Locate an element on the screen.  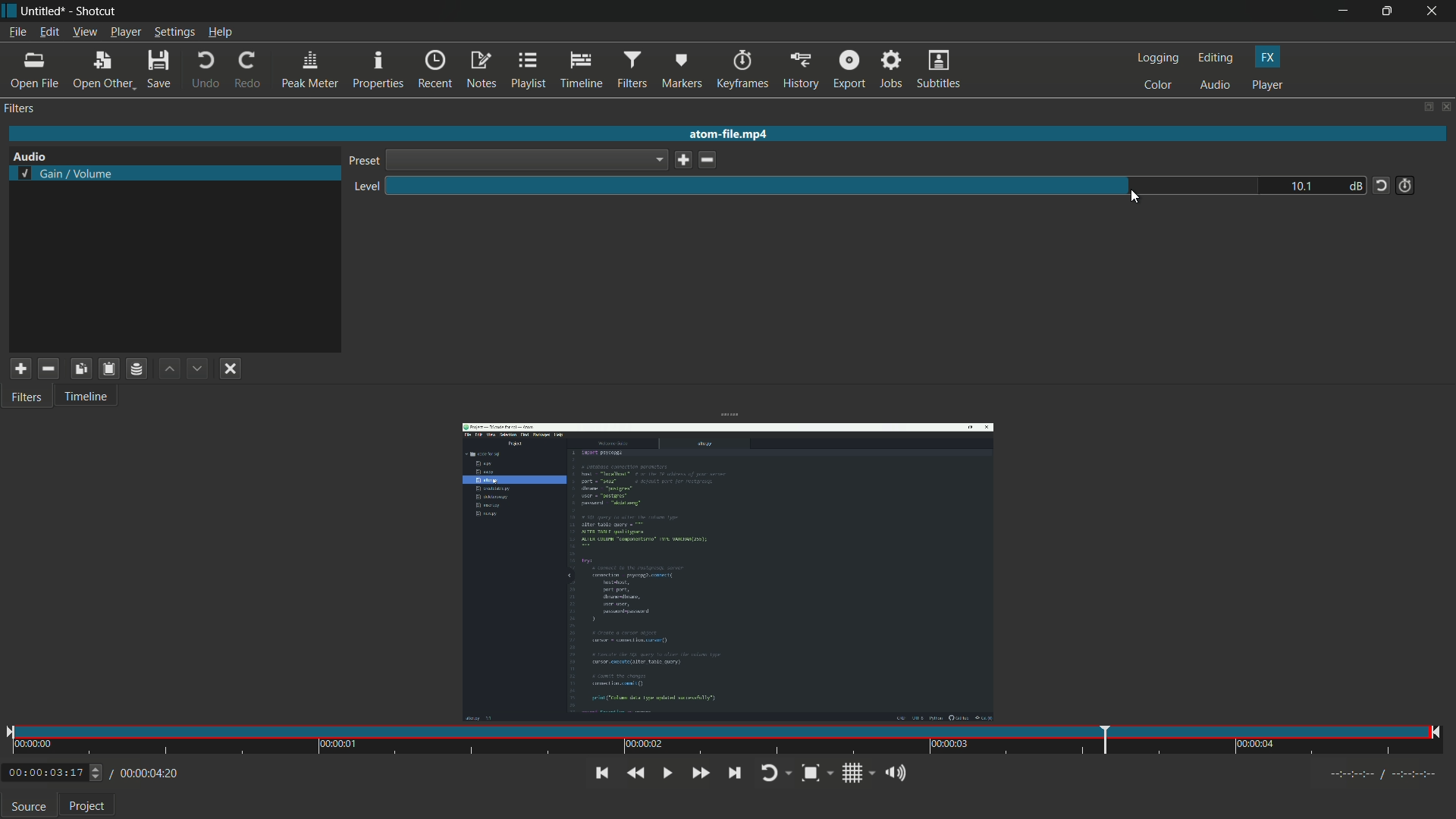
timeline is located at coordinates (580, 70).